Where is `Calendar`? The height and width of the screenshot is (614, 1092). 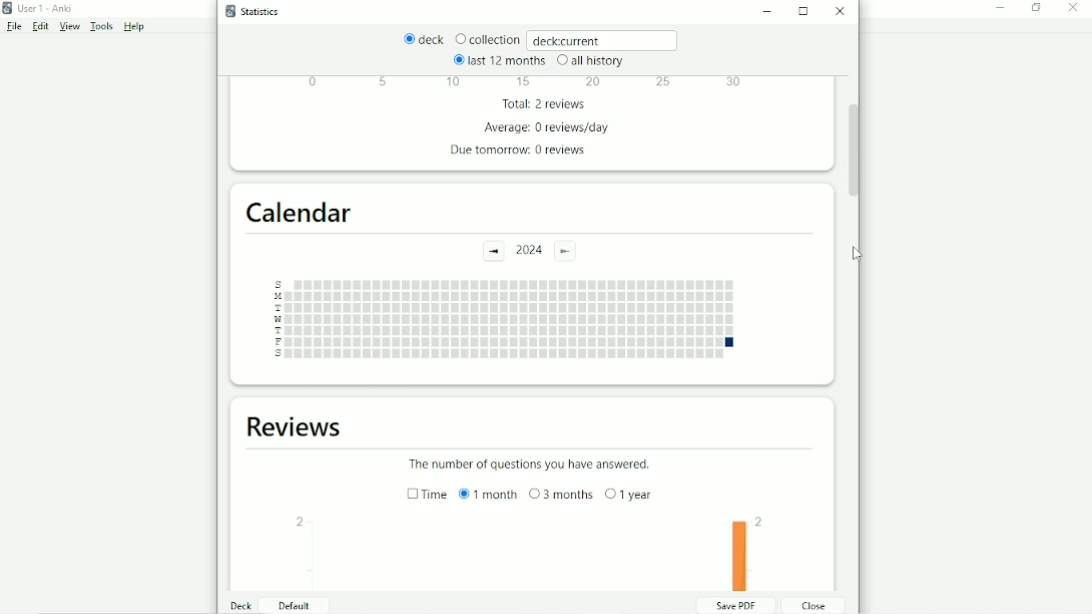
Calendar is located at coordinates (300, 211).